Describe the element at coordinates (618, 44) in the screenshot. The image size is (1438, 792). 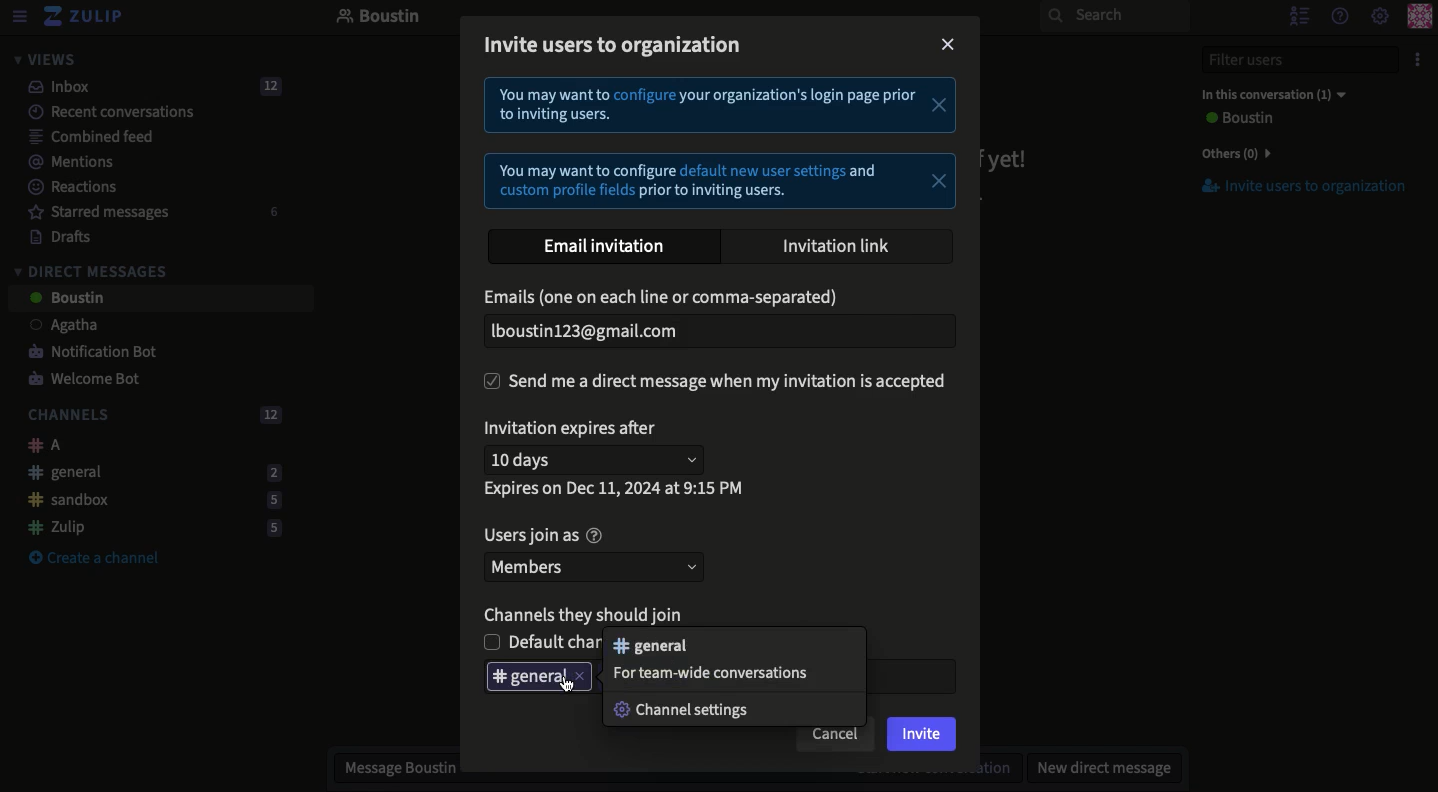
I see `Invite users to organization` at that location.